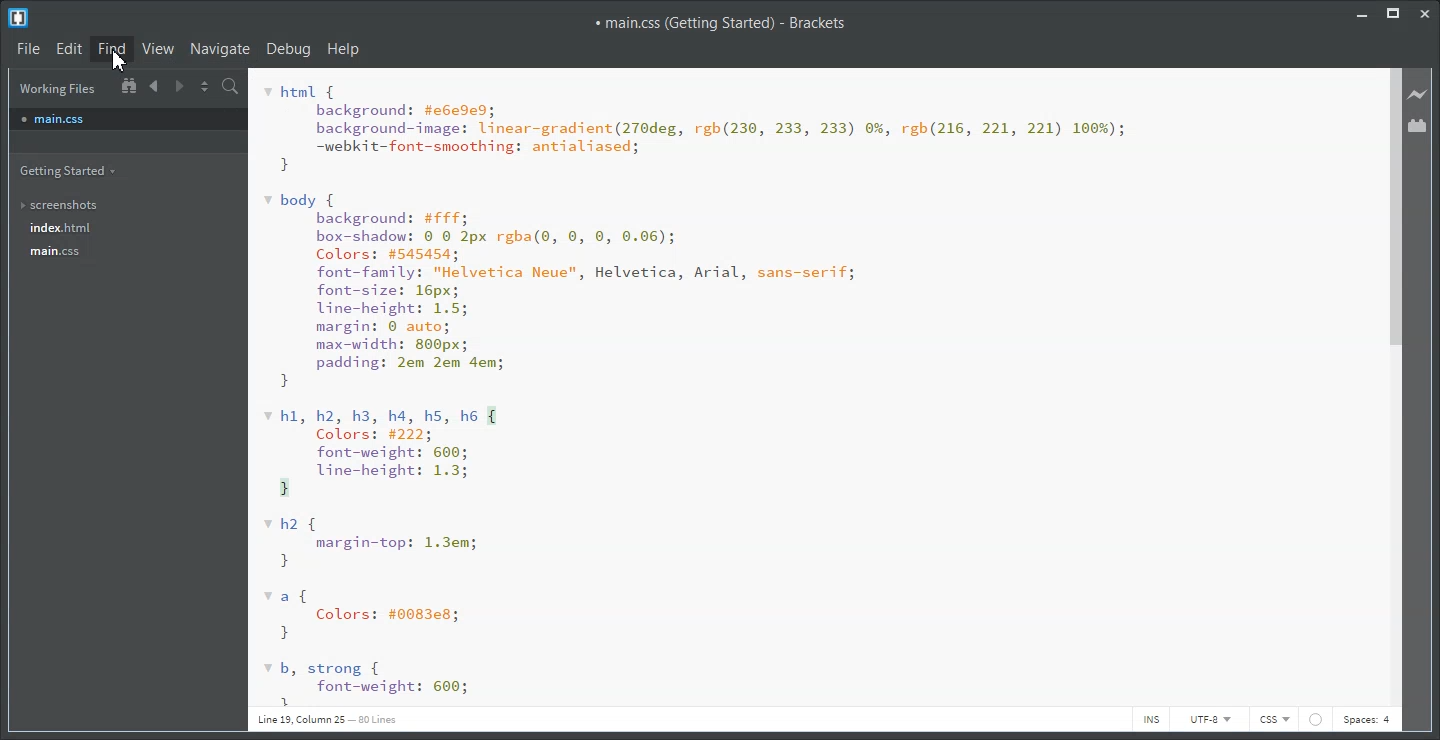  What do you see at coordinates (368, 682) in the screenshot?
I see `b, strong {
font-weight: 600;
3` at bounding box center [368, 682].